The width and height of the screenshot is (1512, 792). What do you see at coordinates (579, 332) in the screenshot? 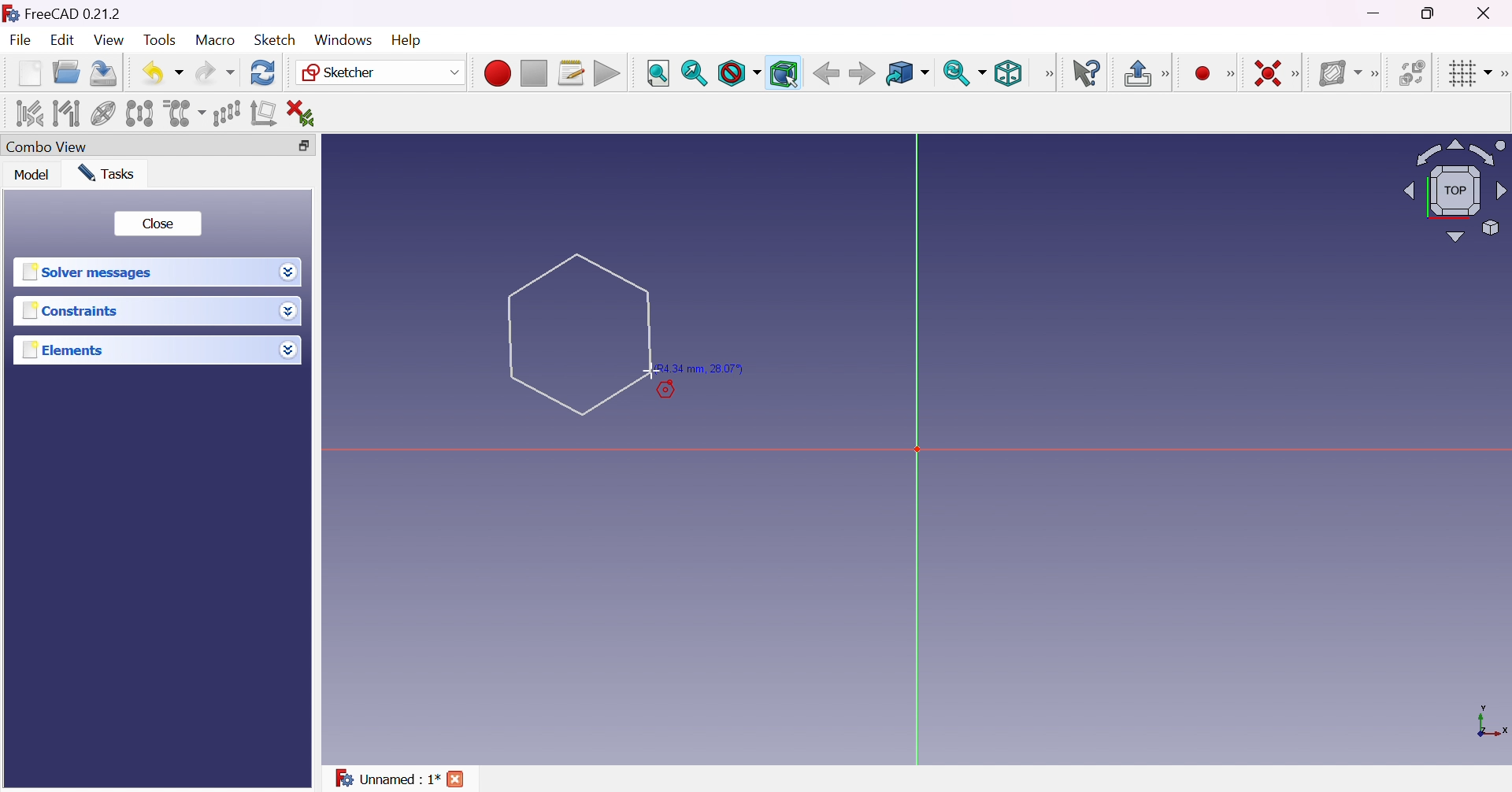
I see `Cursor` at bounding box center [579, 332].